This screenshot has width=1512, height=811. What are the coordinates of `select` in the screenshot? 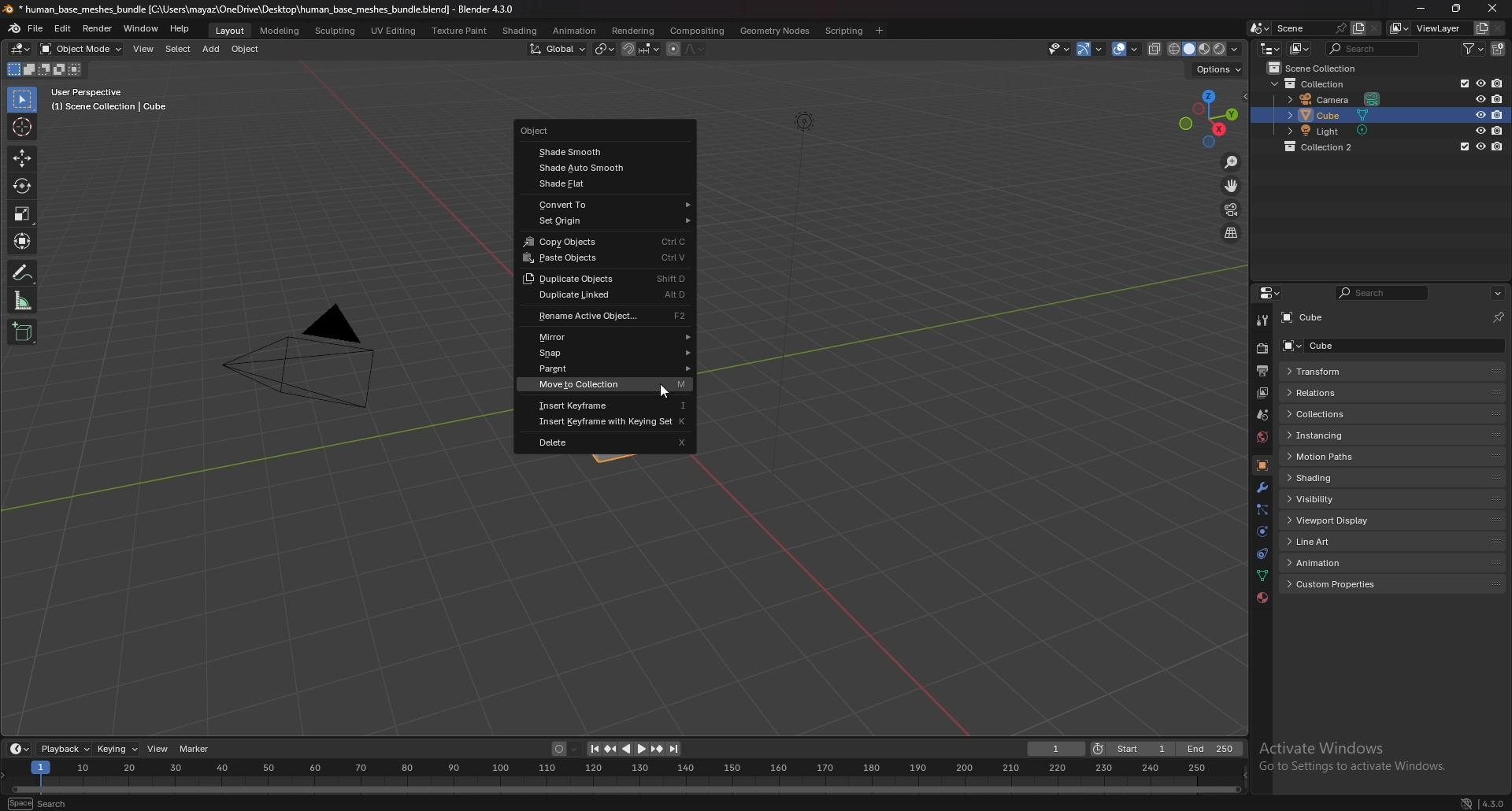 It's located at (24, 100).